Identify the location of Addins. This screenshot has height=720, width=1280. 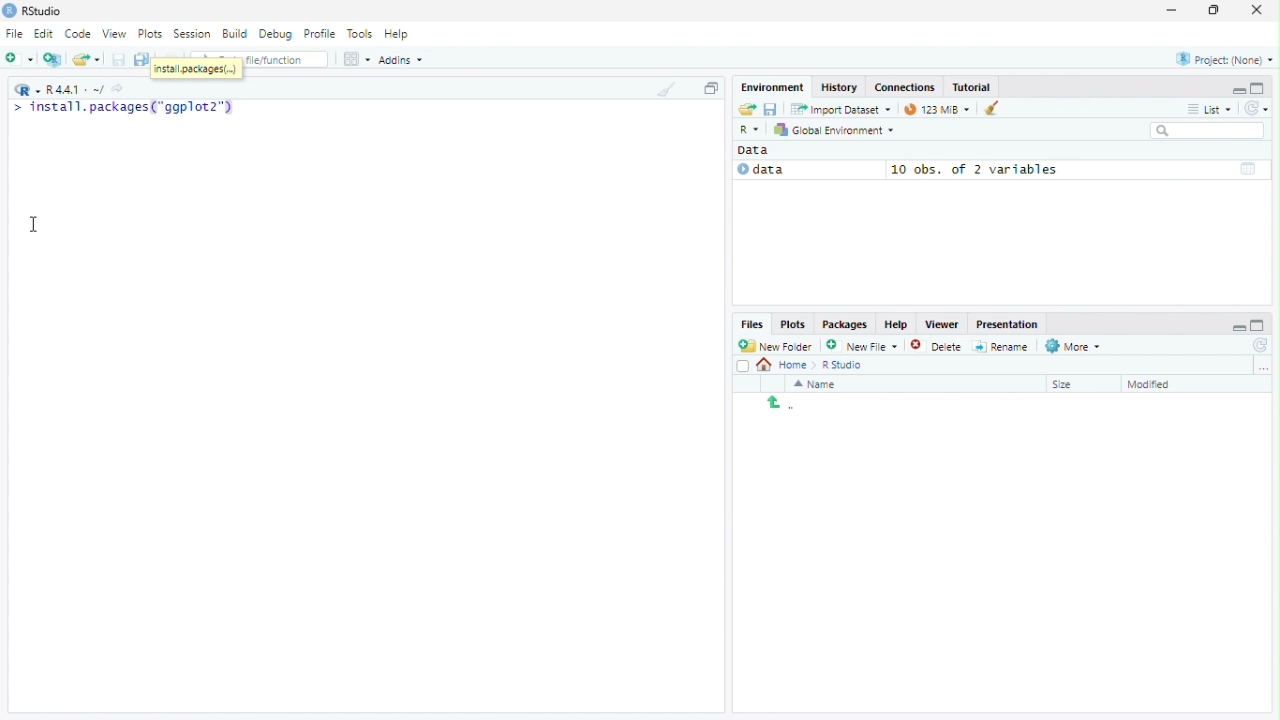
(401, 59).